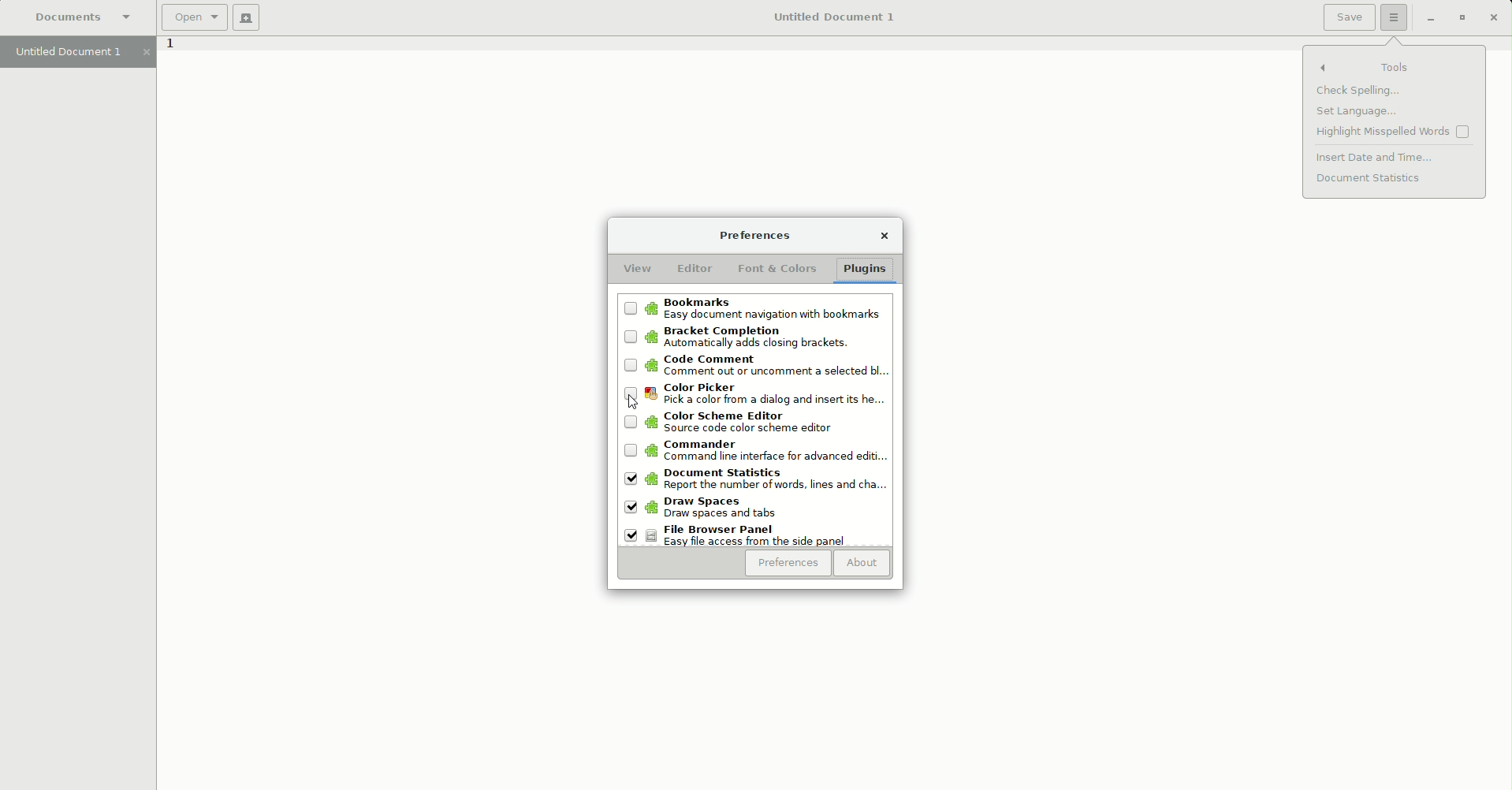 Image resolution: width=1512 pixels, height=790 pixels. What do you see at coordinates (84, 17) in the screenshot?
I see `Documents` at bounding box center [84, 17].